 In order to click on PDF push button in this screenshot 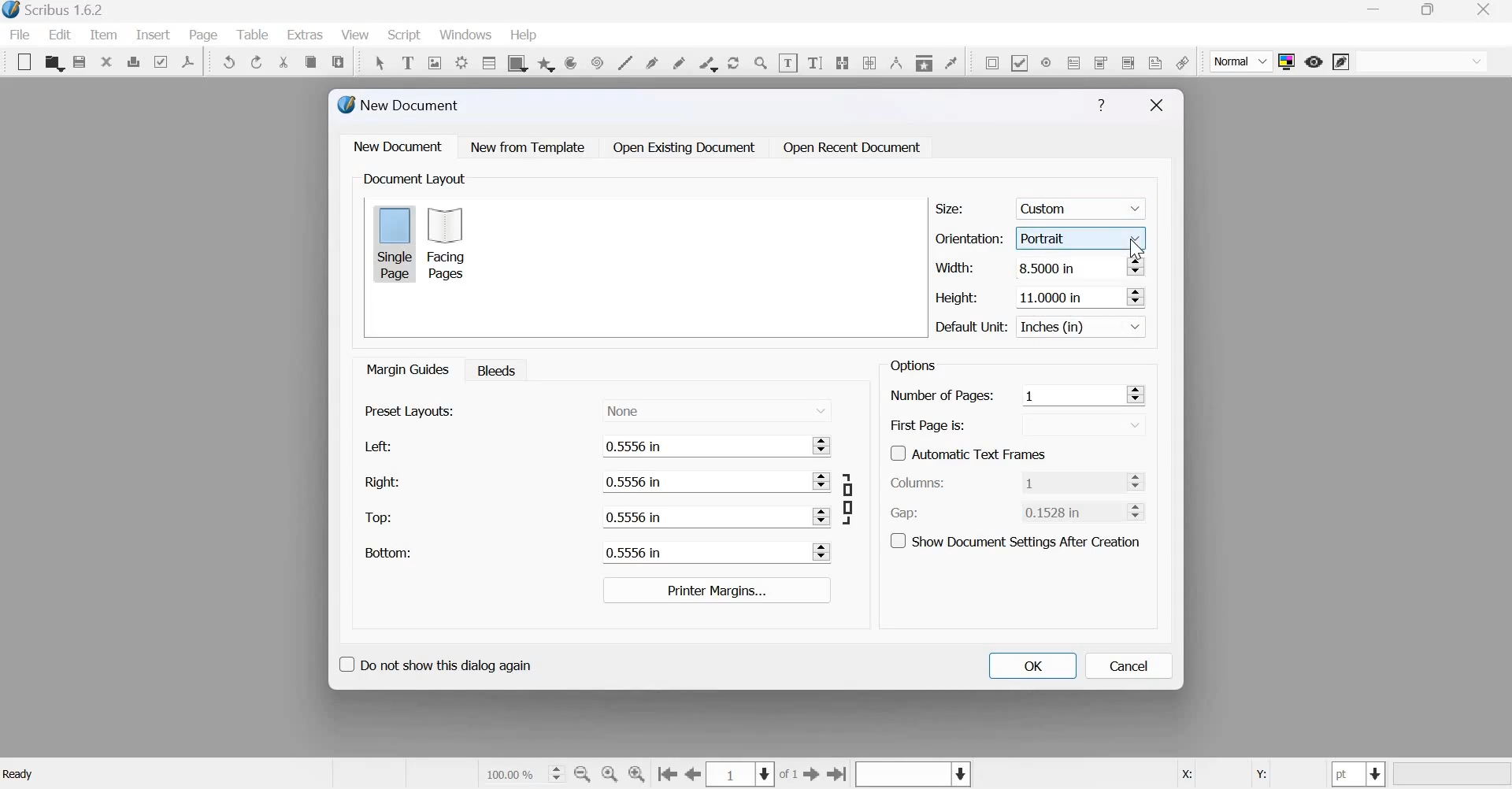, I will do `click(989, 62)`.